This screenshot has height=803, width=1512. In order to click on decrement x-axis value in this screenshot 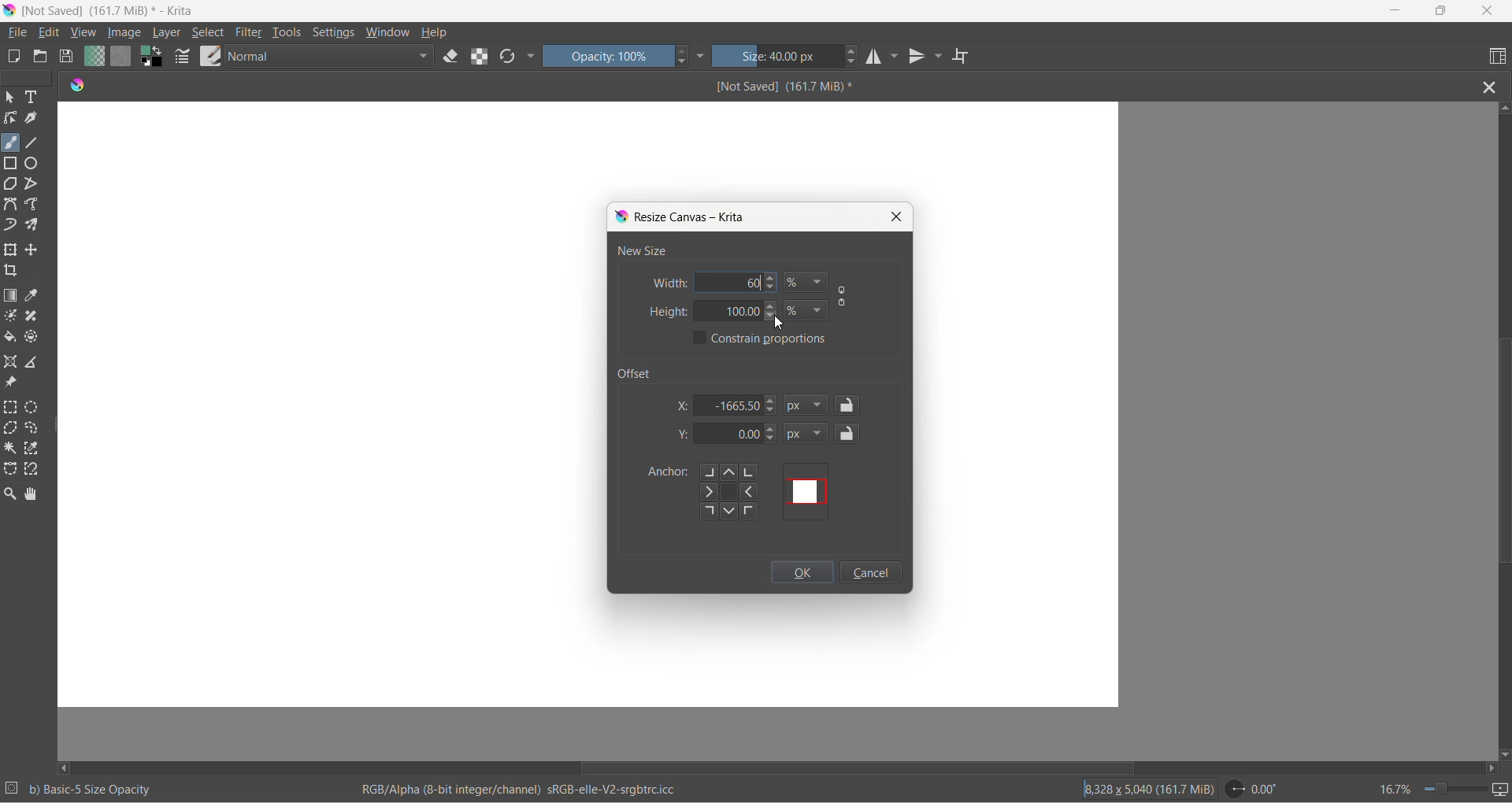, I will do `click(771, 412)`.